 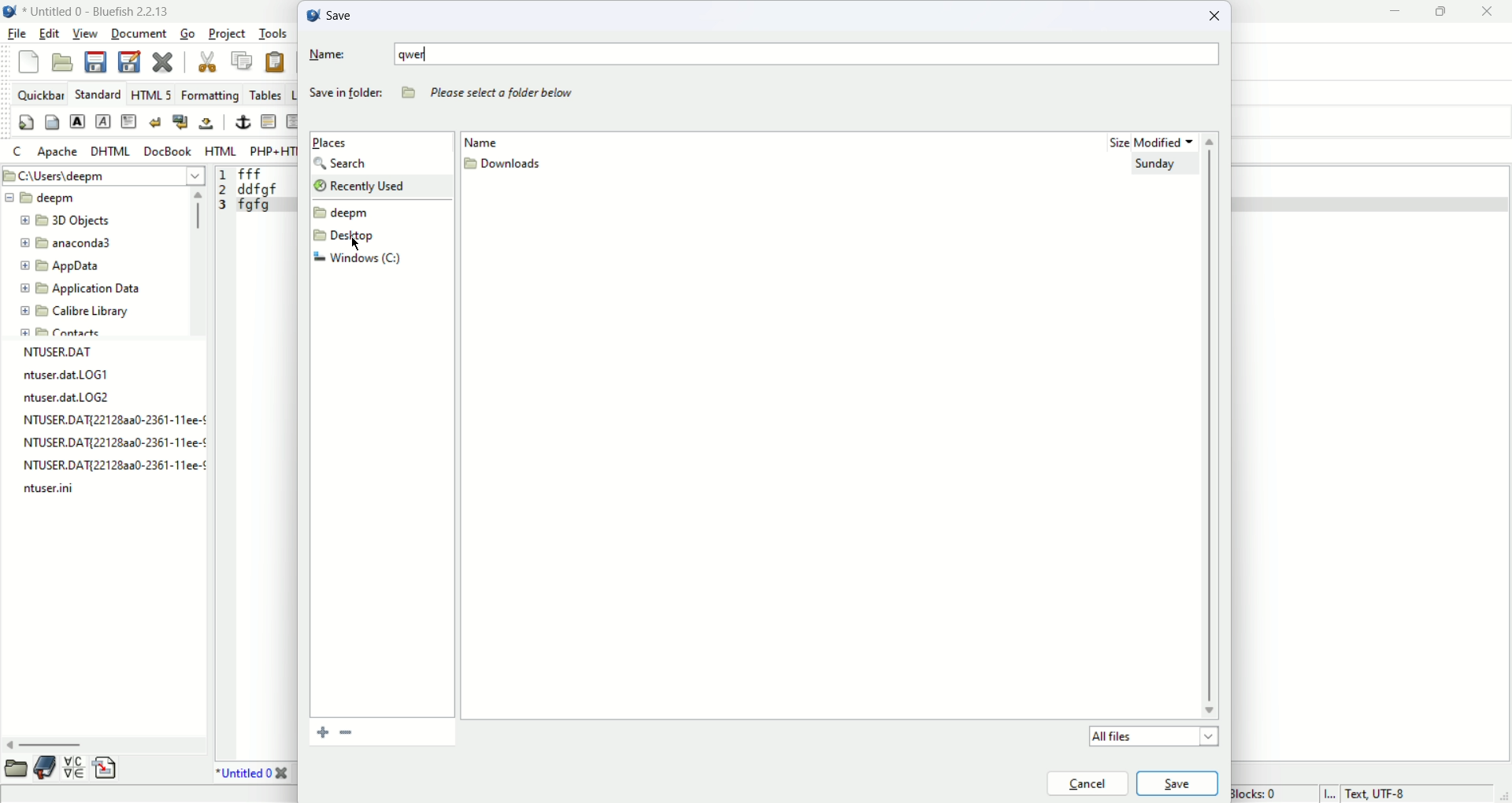 What do you see at coordinates (109, 150) in the screenshot?
I see `DHTML` at bounding box center [109, 150].